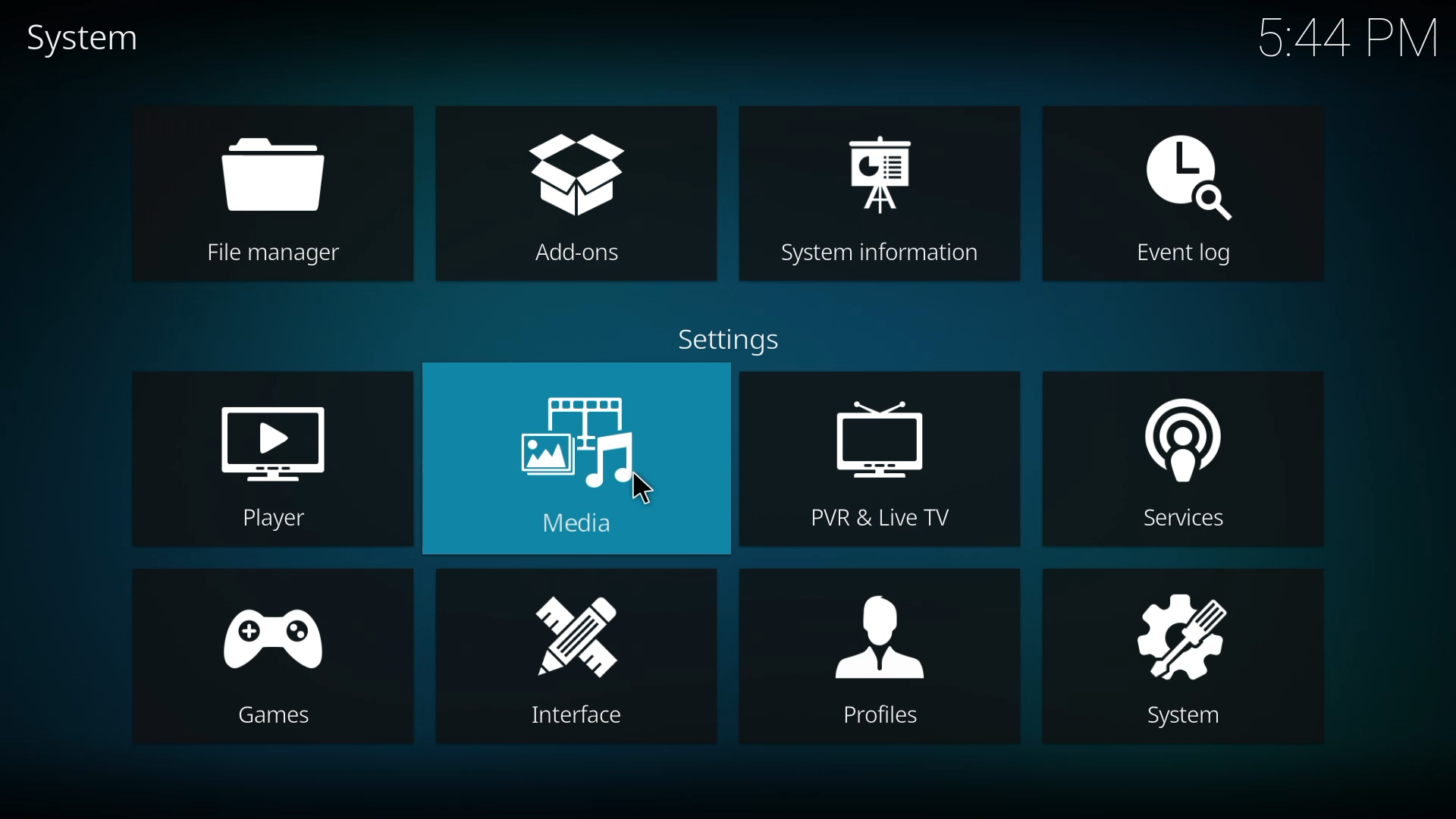 The height and width of the screenshot is (819, 1456). Describe the element at coordinates (588, 635) in the screenshot. I see `interface` at that location.